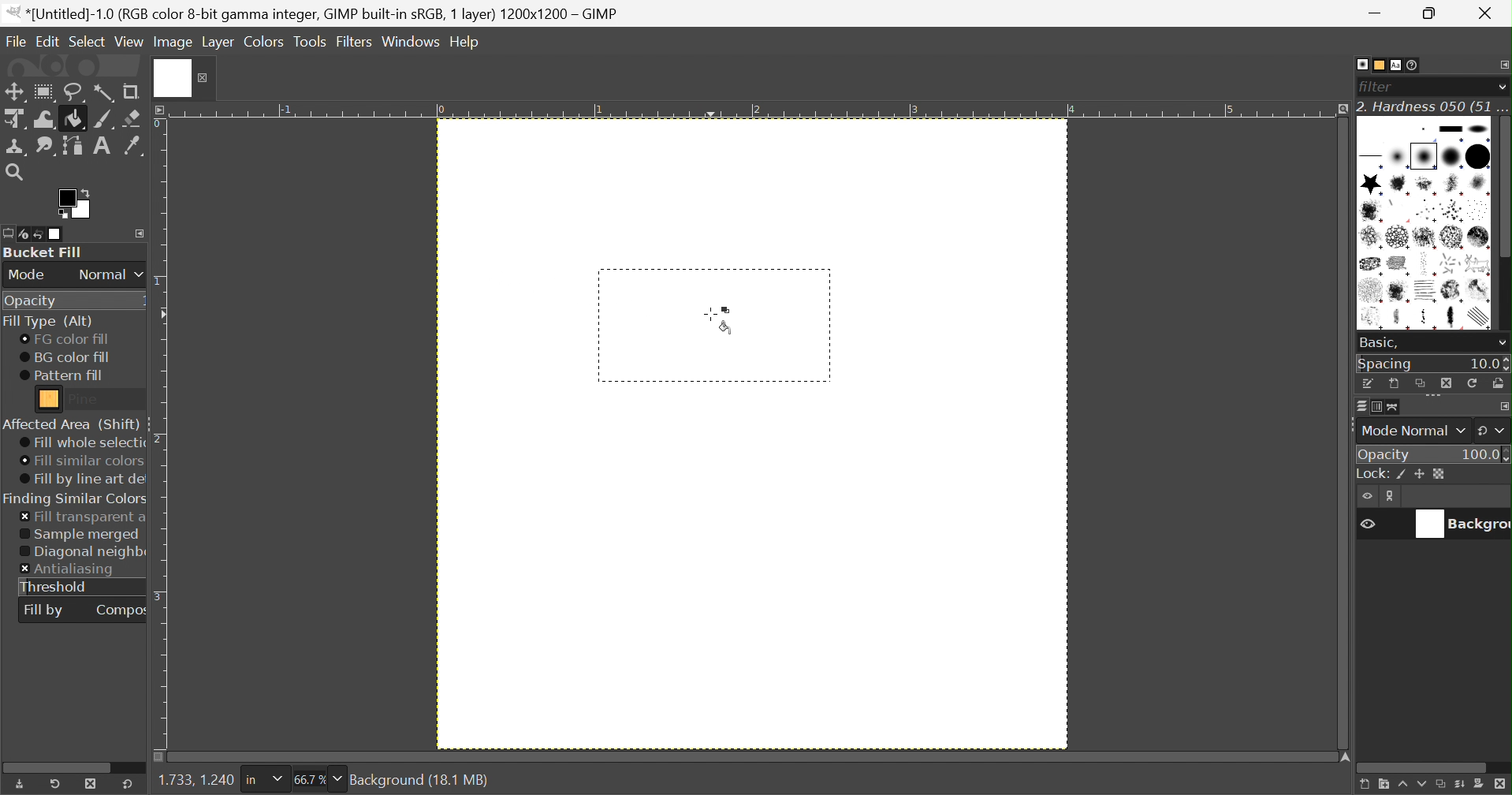  Describe the element at coordinates (14, 38) in the screenshot. I see `File` at that location.